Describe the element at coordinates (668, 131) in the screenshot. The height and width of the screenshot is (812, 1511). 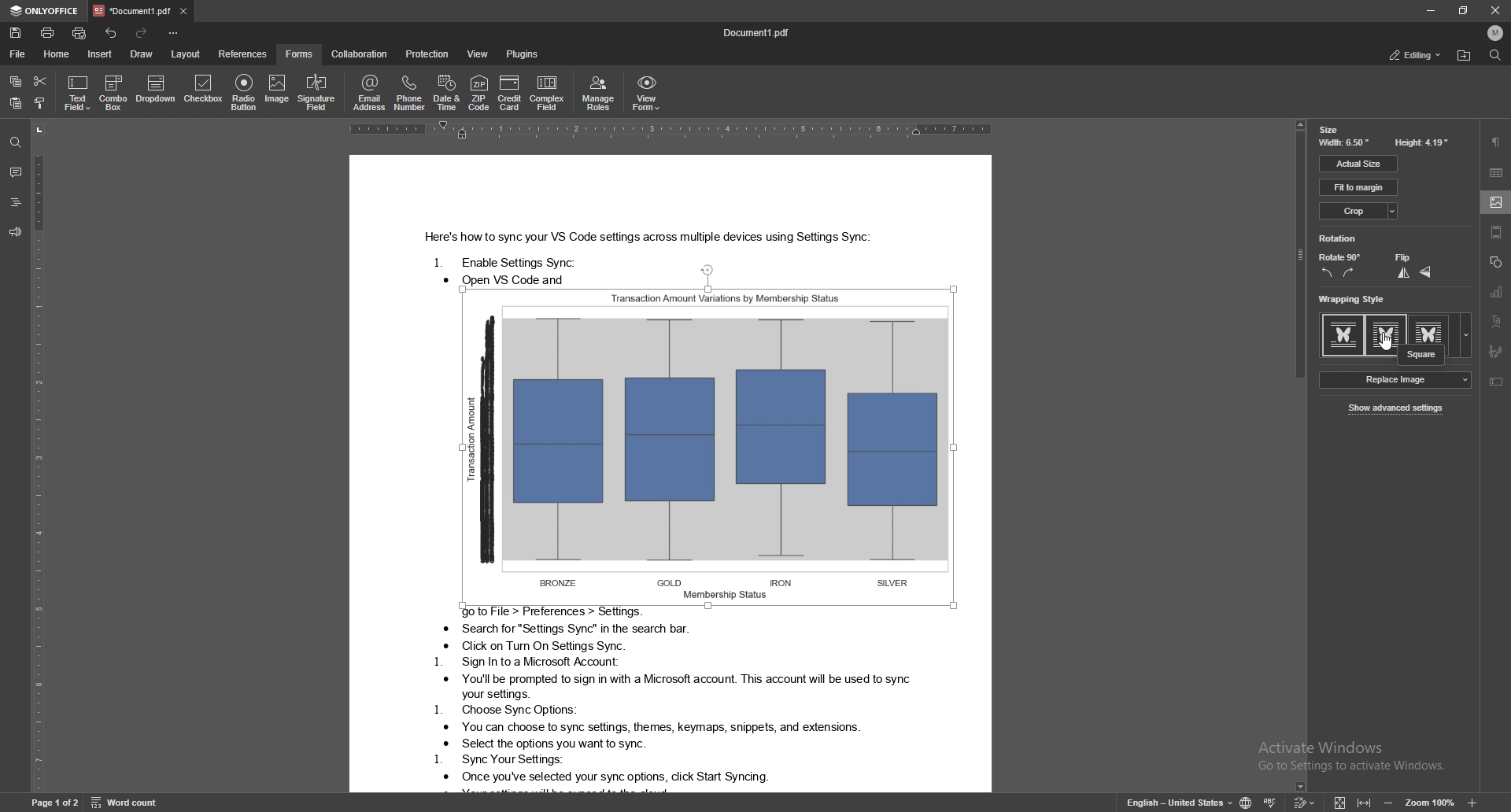
I see `horizontal scale` at that location.